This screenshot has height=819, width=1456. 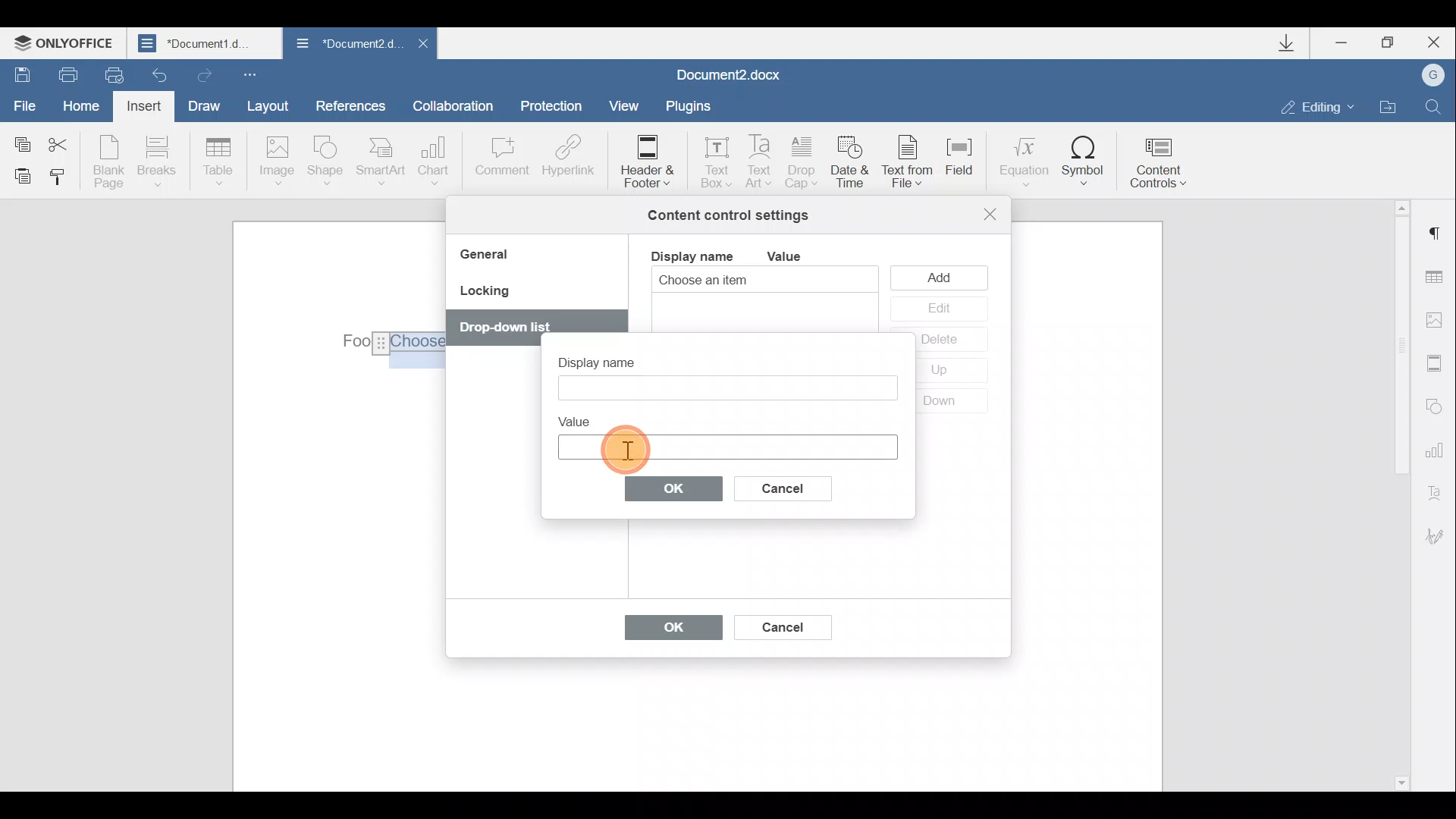 I want to click on Layout, so click(x=267, y=105).